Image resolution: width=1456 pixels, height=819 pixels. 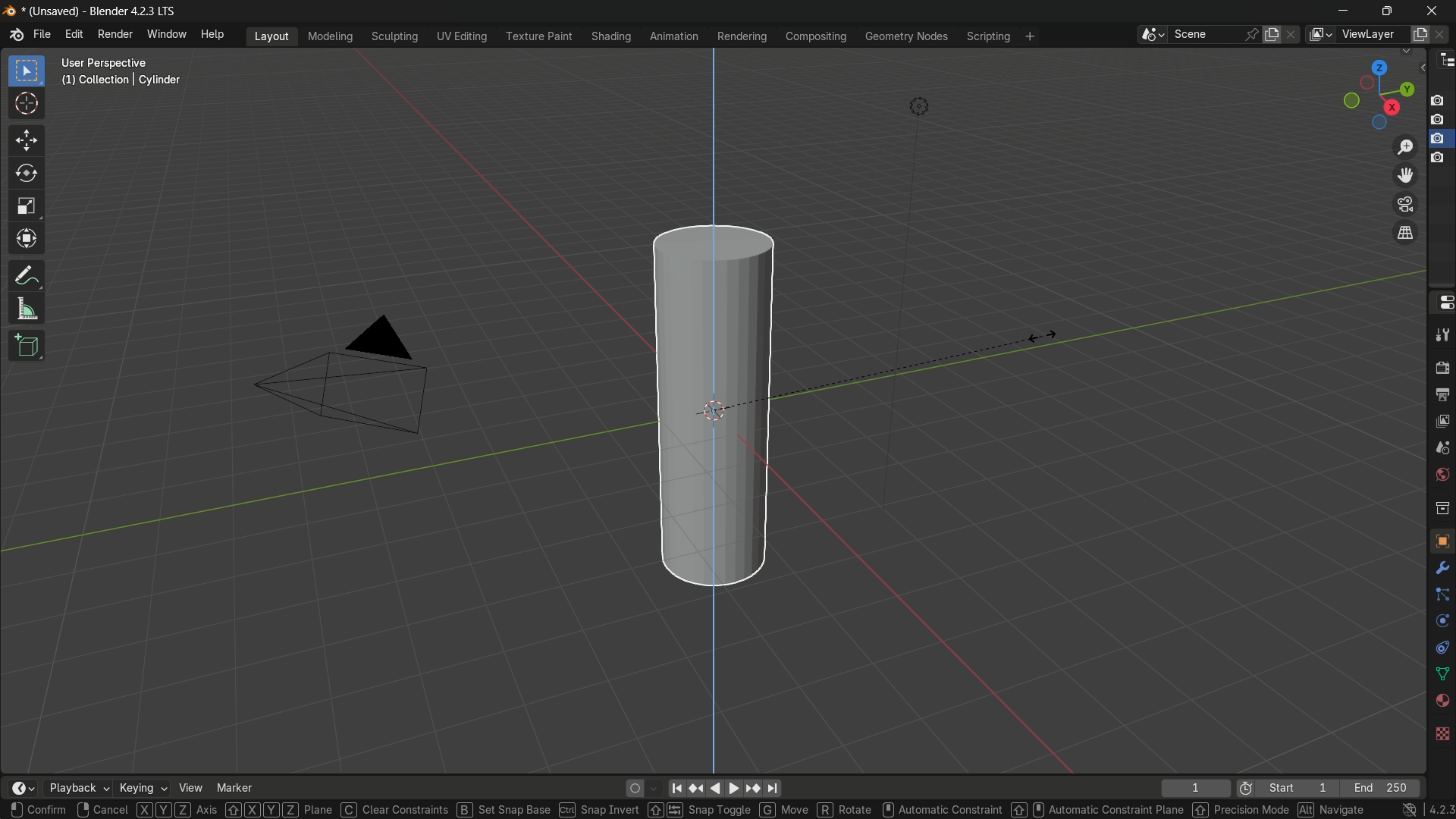 What do you see at coordinates (1442, 508) in the screenshot?
I see `collections` at bounding box center [1442, 508].